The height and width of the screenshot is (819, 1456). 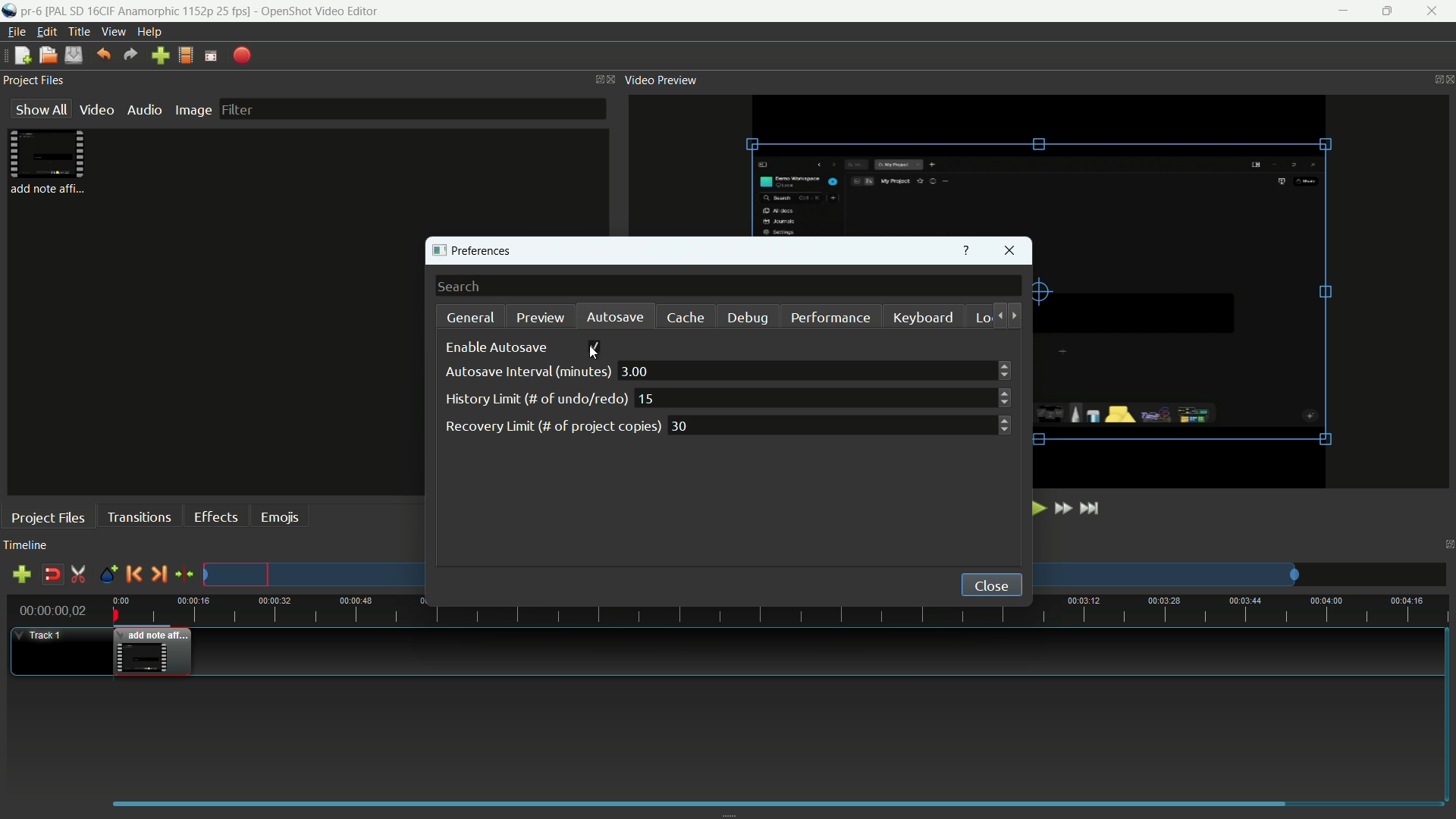 What do you see at coordinates (1093, 508) in the screenshot?
I see `jump to end` at bounding box center [1093, 508].